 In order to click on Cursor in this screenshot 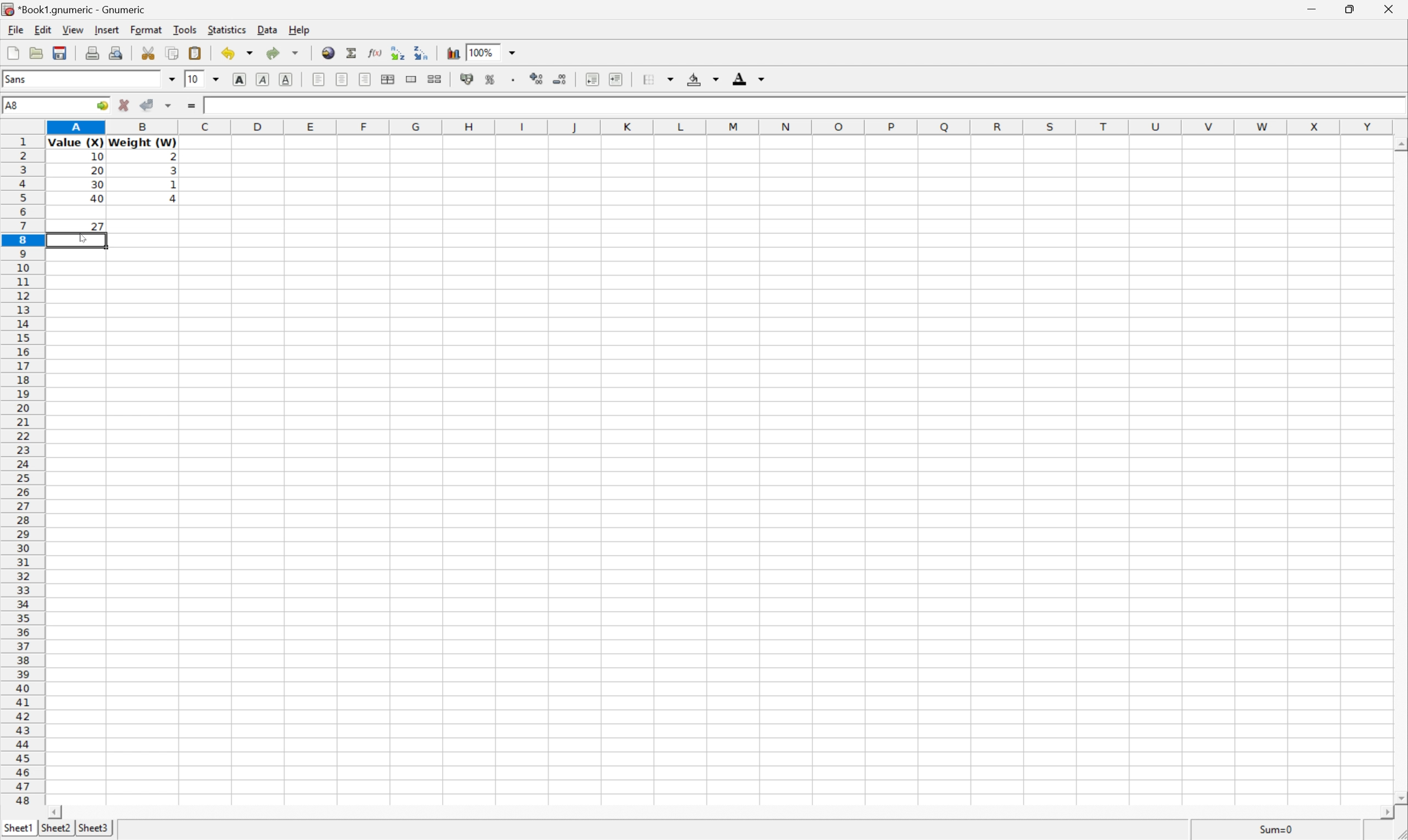, I will do `click(81, 241)`.